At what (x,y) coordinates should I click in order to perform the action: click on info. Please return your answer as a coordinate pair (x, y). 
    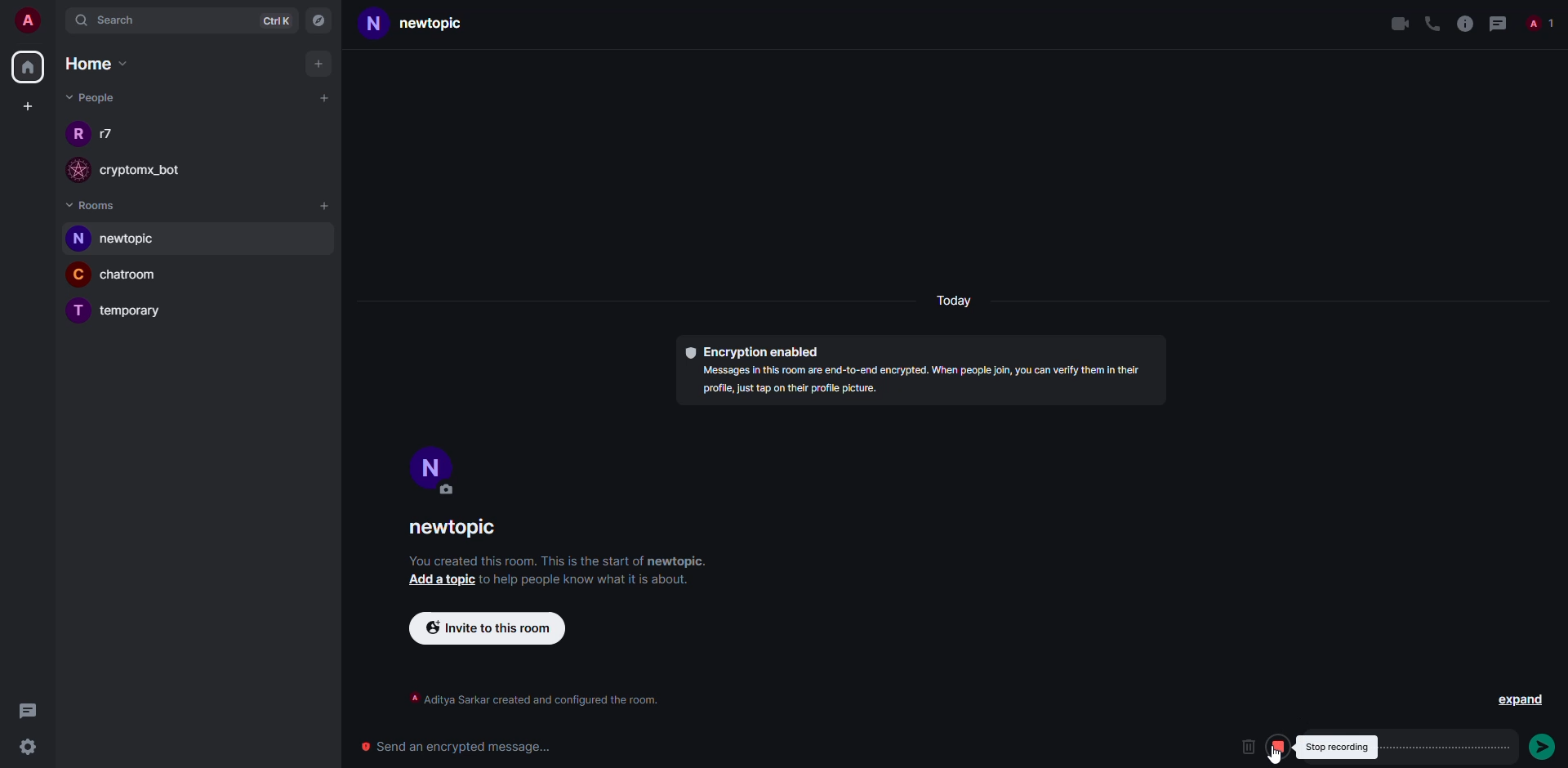
    Looking at the image, I should click on (559, 561).